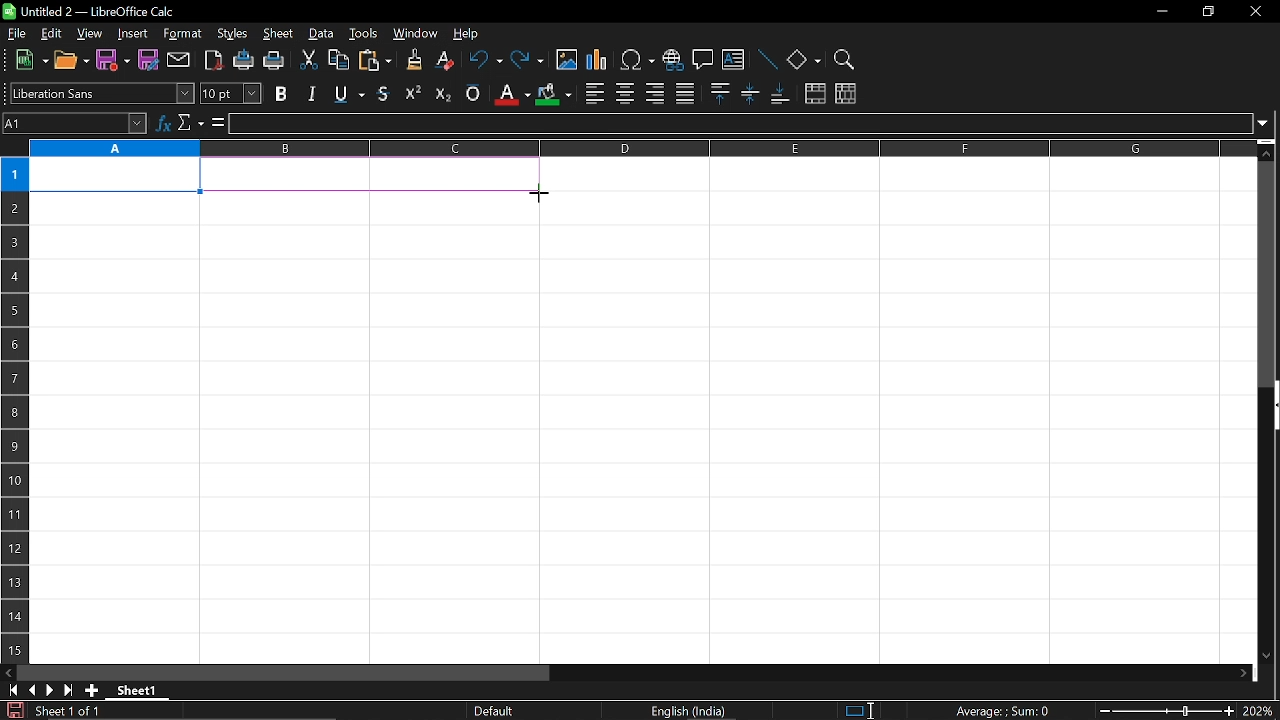 Image resolution: width=1280 pixels, height=720 pixels. What do you see at coordinates (364, 35) in the screenshot?
I see `tools` at bounding box center [364, 35].